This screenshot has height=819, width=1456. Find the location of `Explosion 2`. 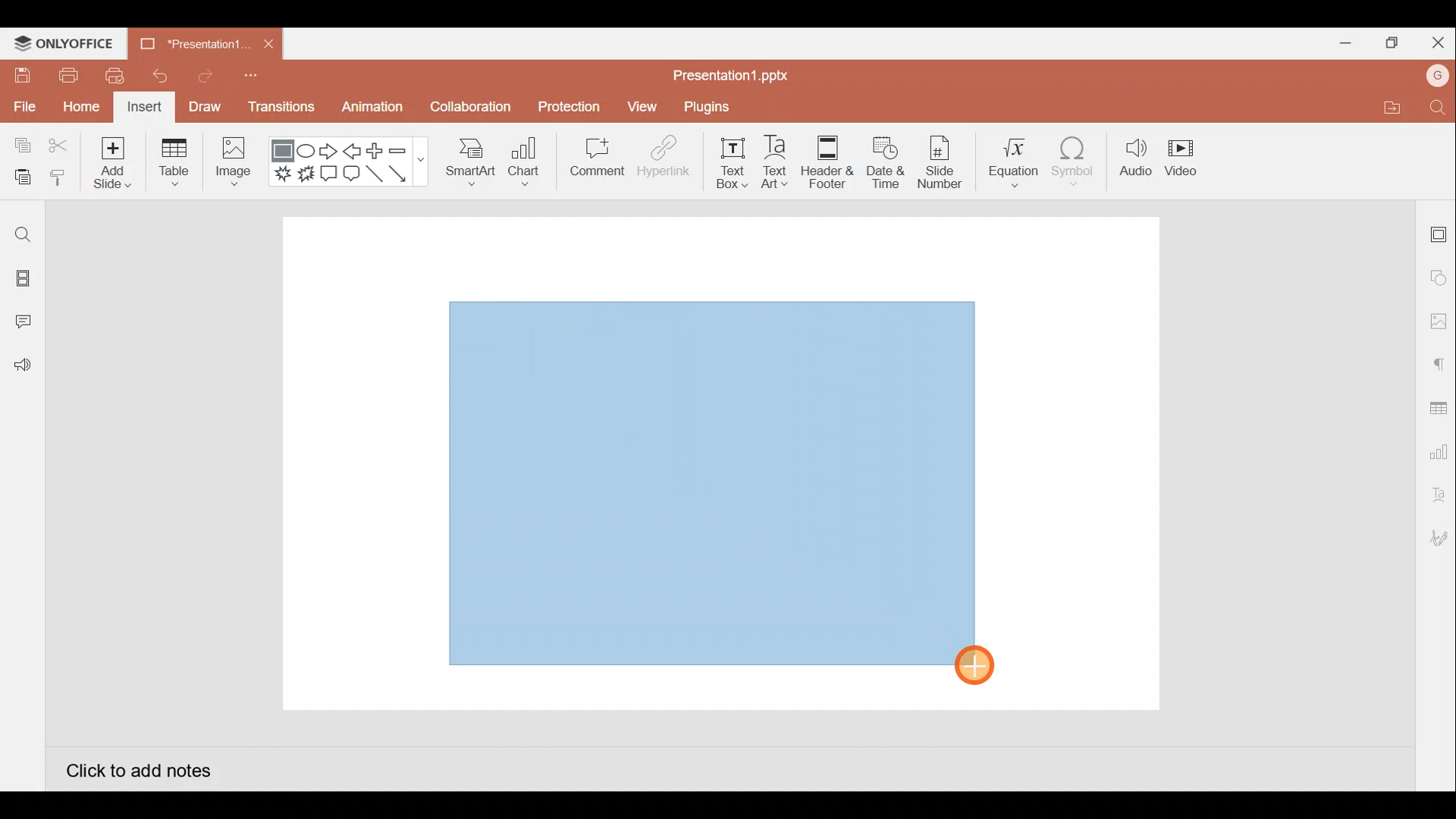

Explosion 2 is located at coordinates (306, 174).